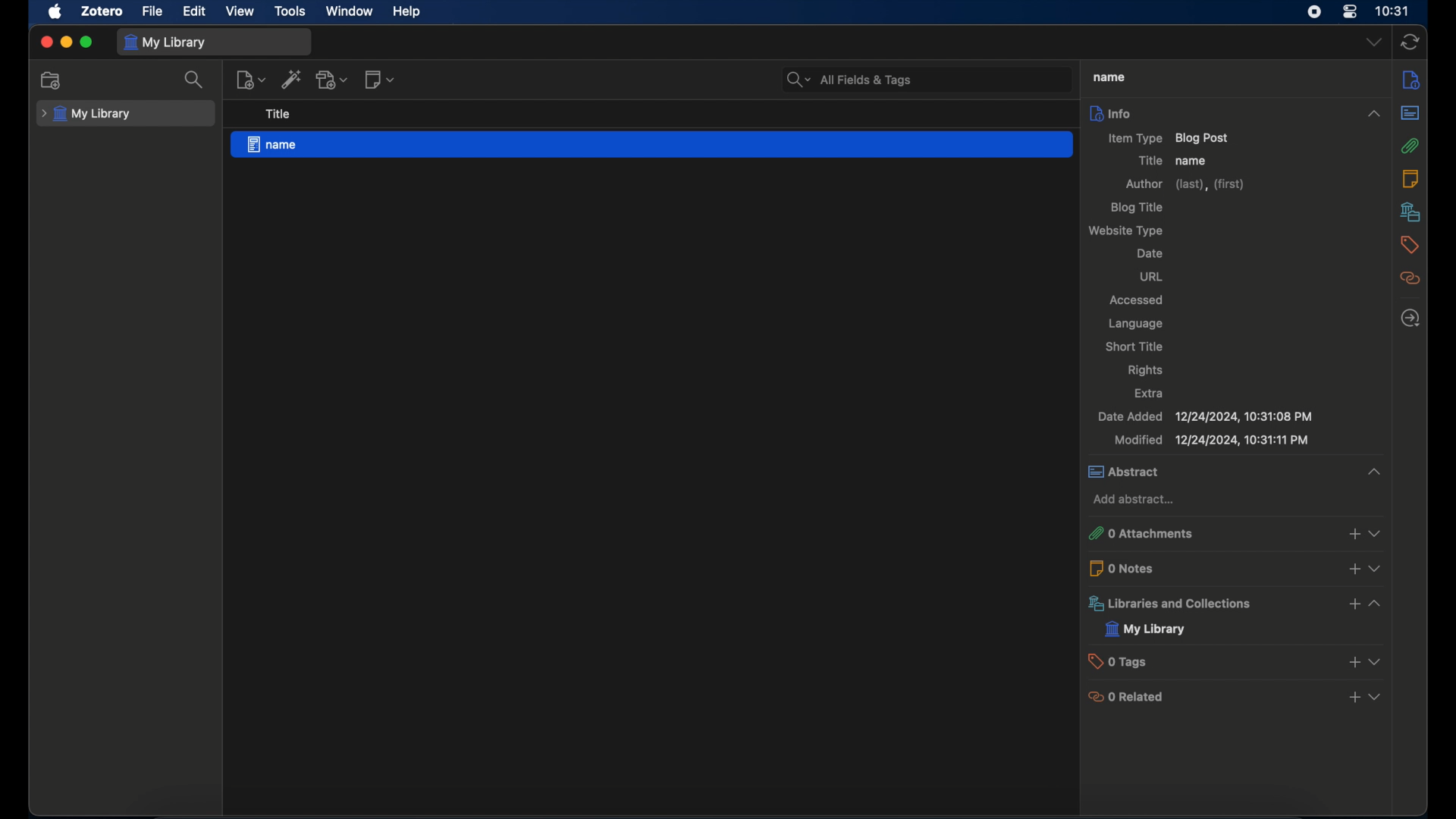 Image resolution: width=1456 pixels, height=819 pixels. Describe the element at coordinates (1410, 43) in the screenshot. I see `sync` at that location.